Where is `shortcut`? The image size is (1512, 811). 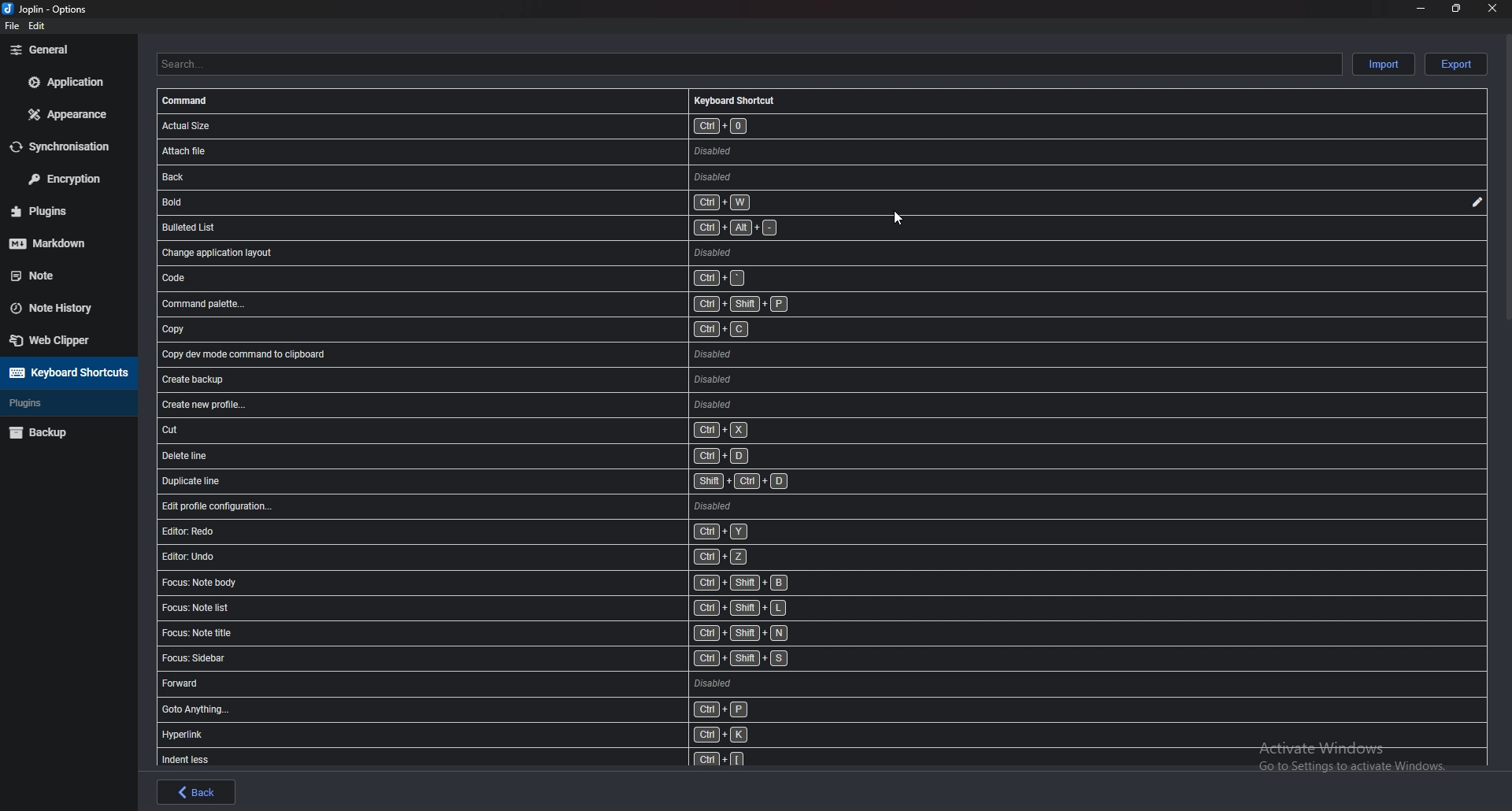 shortcut is located at coordinates (516, 584).